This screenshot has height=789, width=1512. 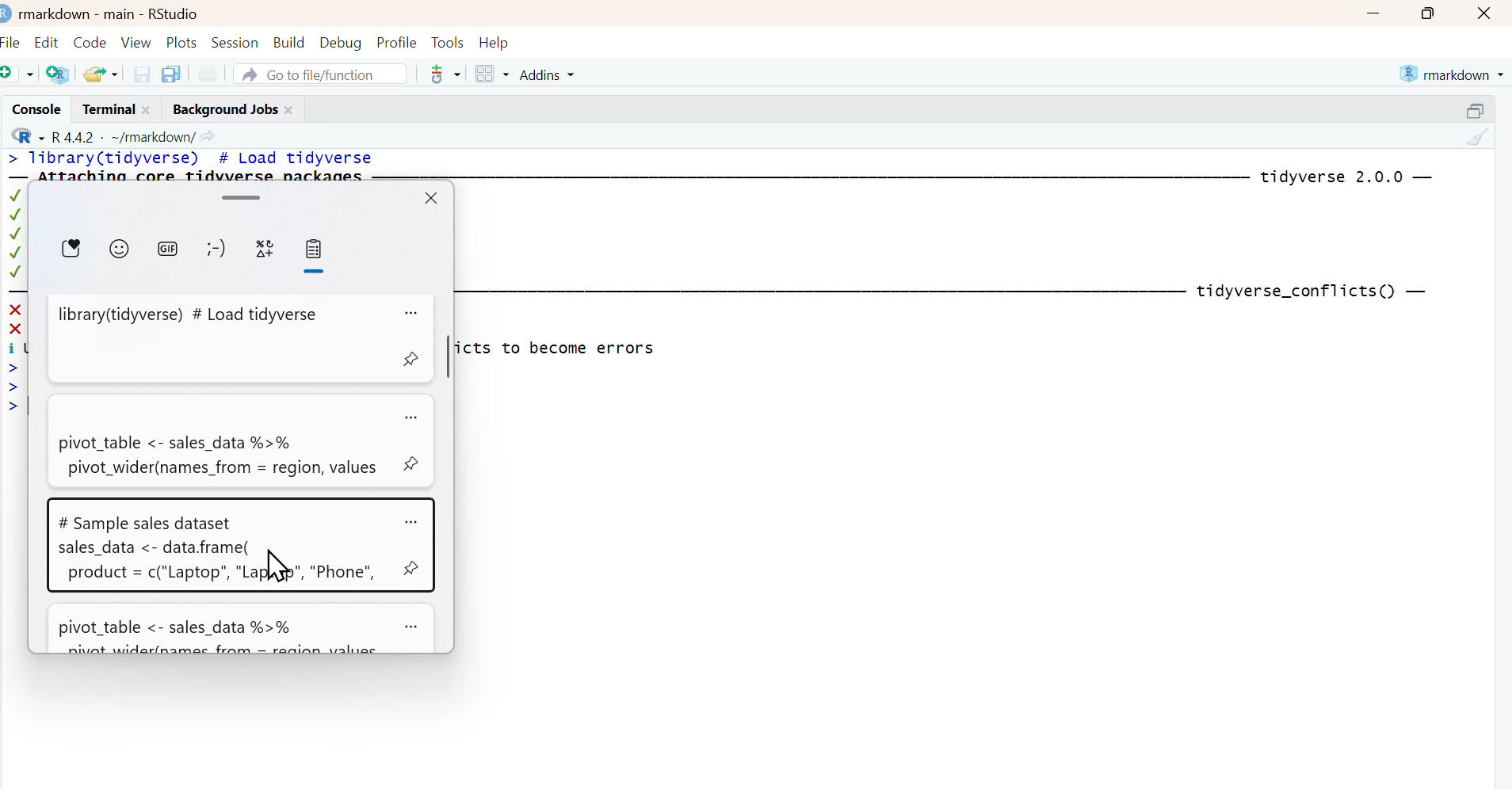 I want to click on tidyverse_conflicts(), so click(x=1296, y=292).